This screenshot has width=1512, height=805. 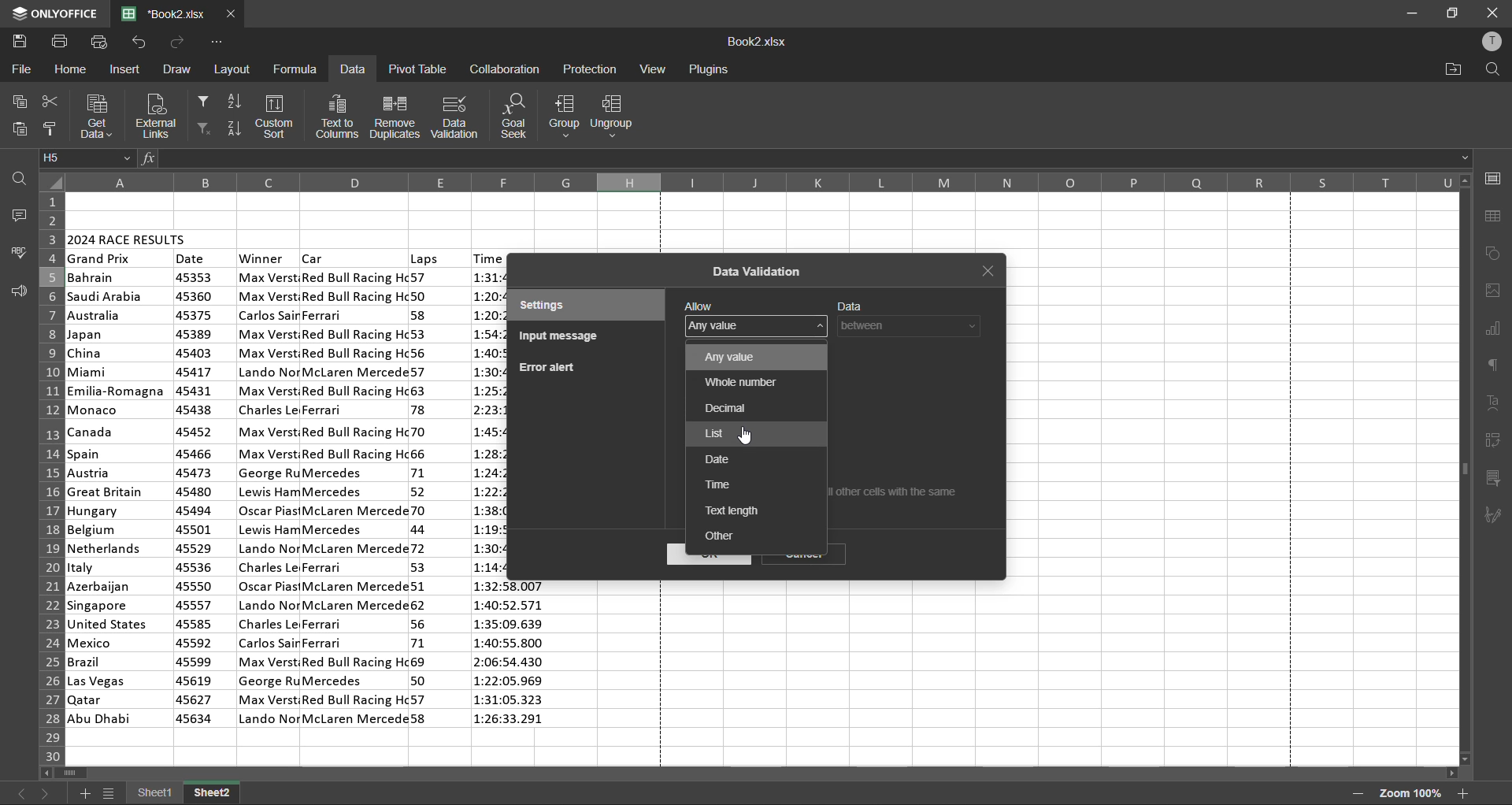 What do you see at coordinates (563, 338) in the screenshot?
I see `input message` at bounding box center [563, 338].